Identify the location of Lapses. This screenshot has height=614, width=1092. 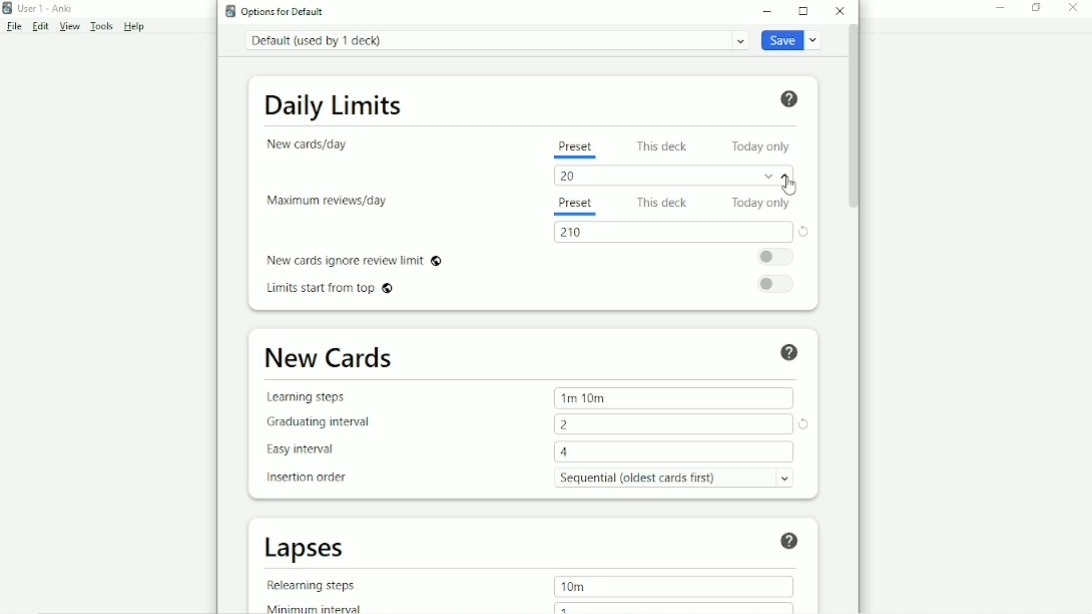
(306, 548).